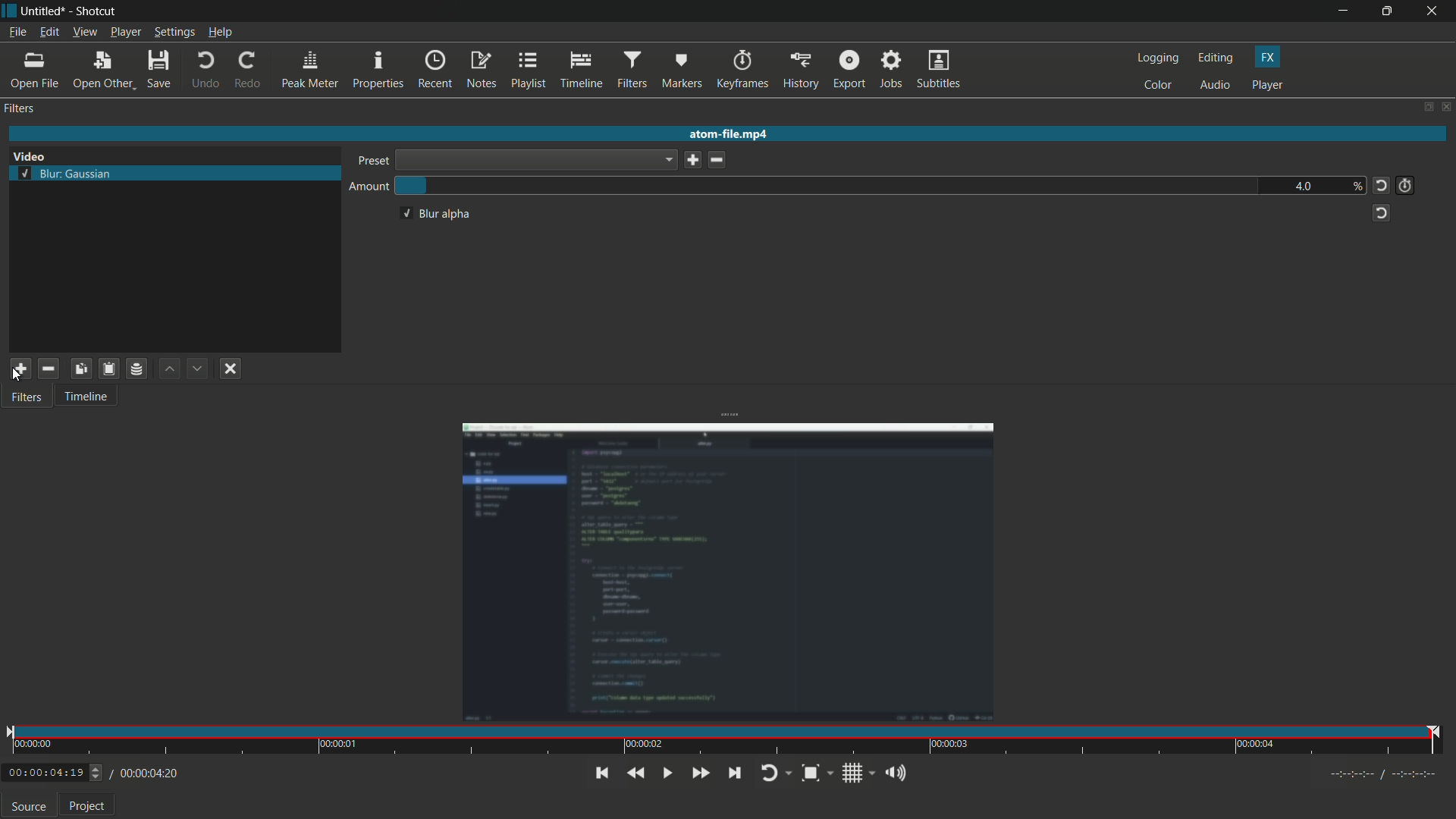  I want to click on skip to the previous point, so click(600, 773).